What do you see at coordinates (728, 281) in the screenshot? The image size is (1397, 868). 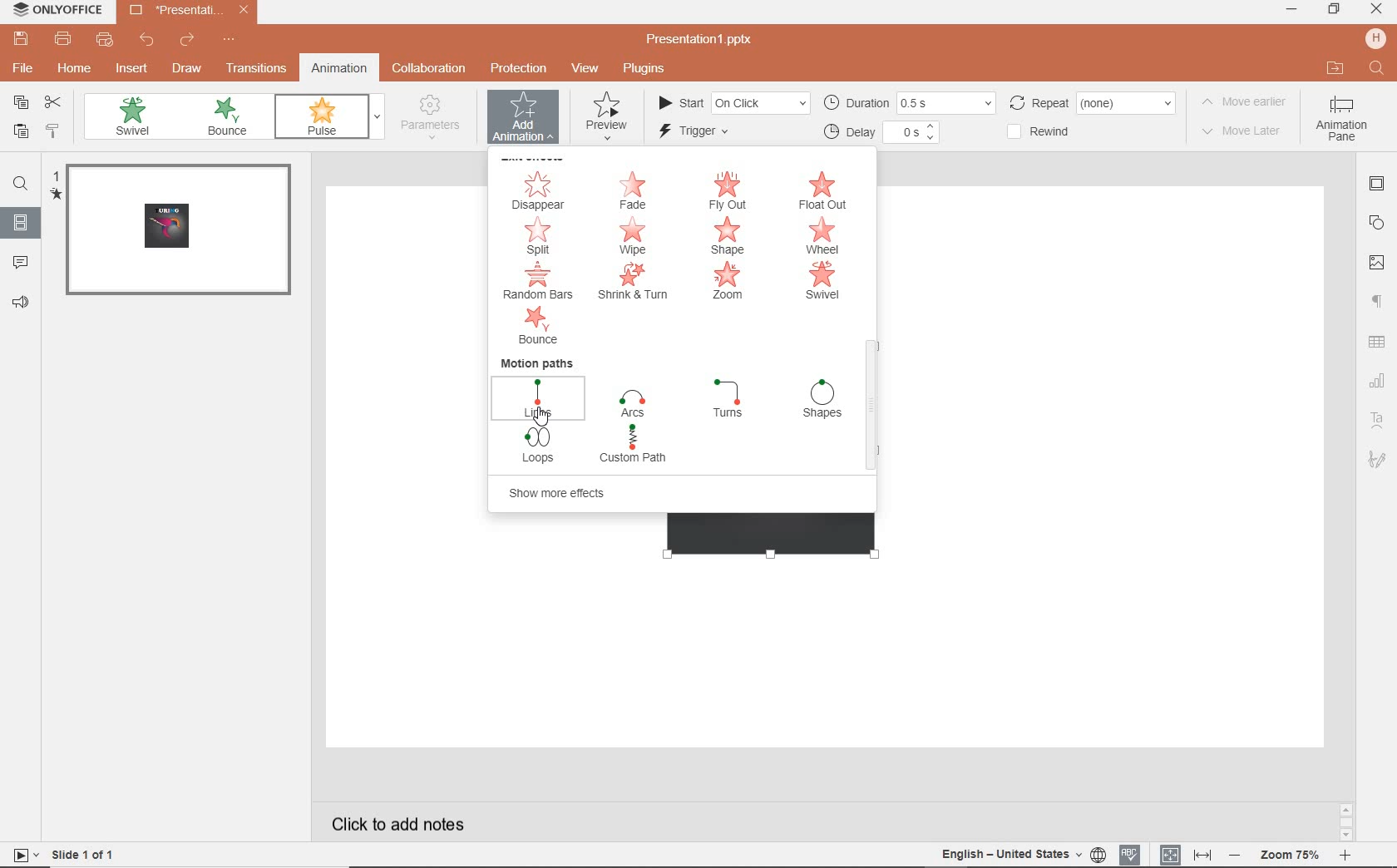 I see `zoom` at bounding box center [728, 281].